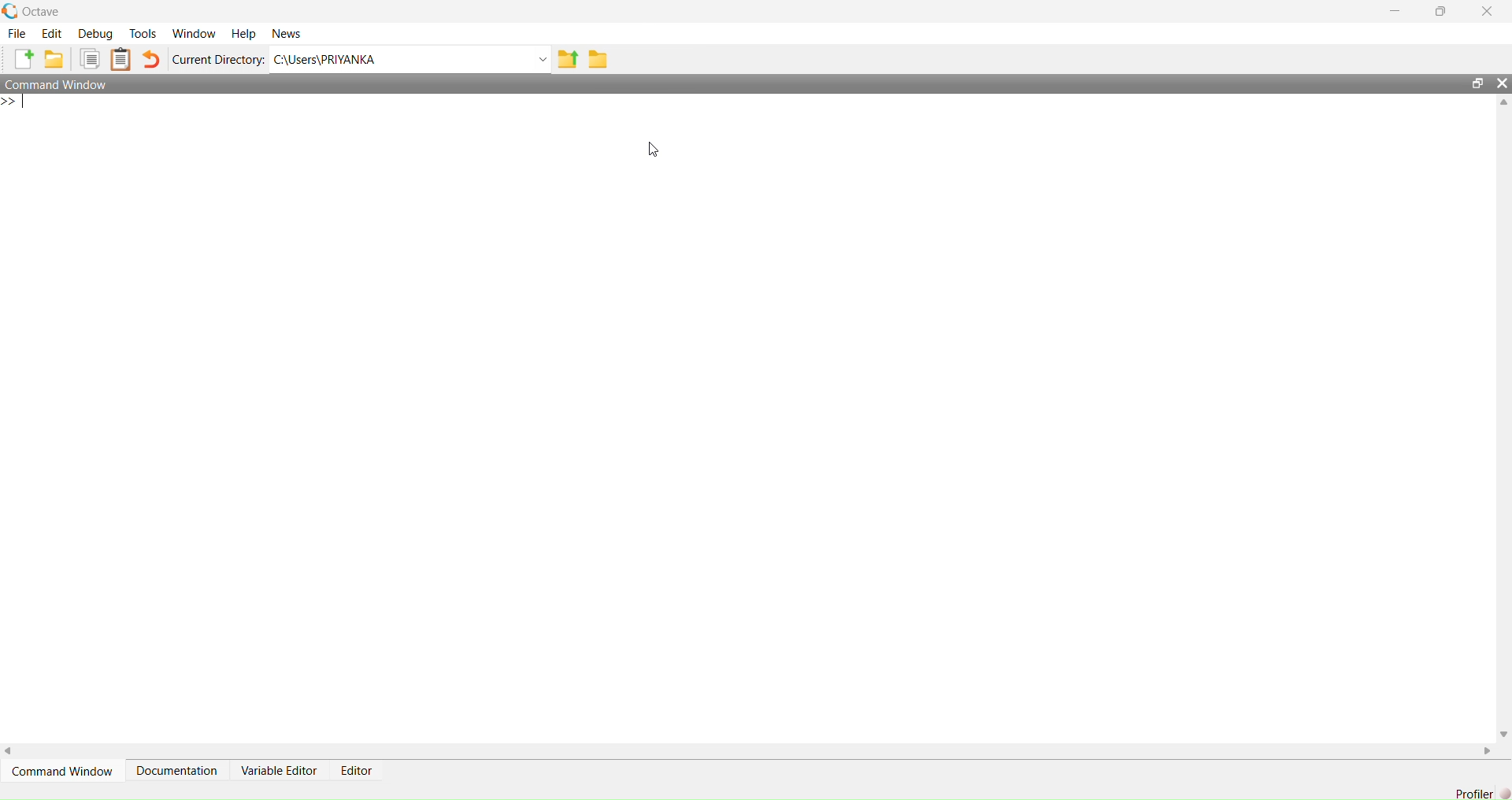  Describe the element at coordinates (52, 33) in the screenshot. I see `Edit` at that location.